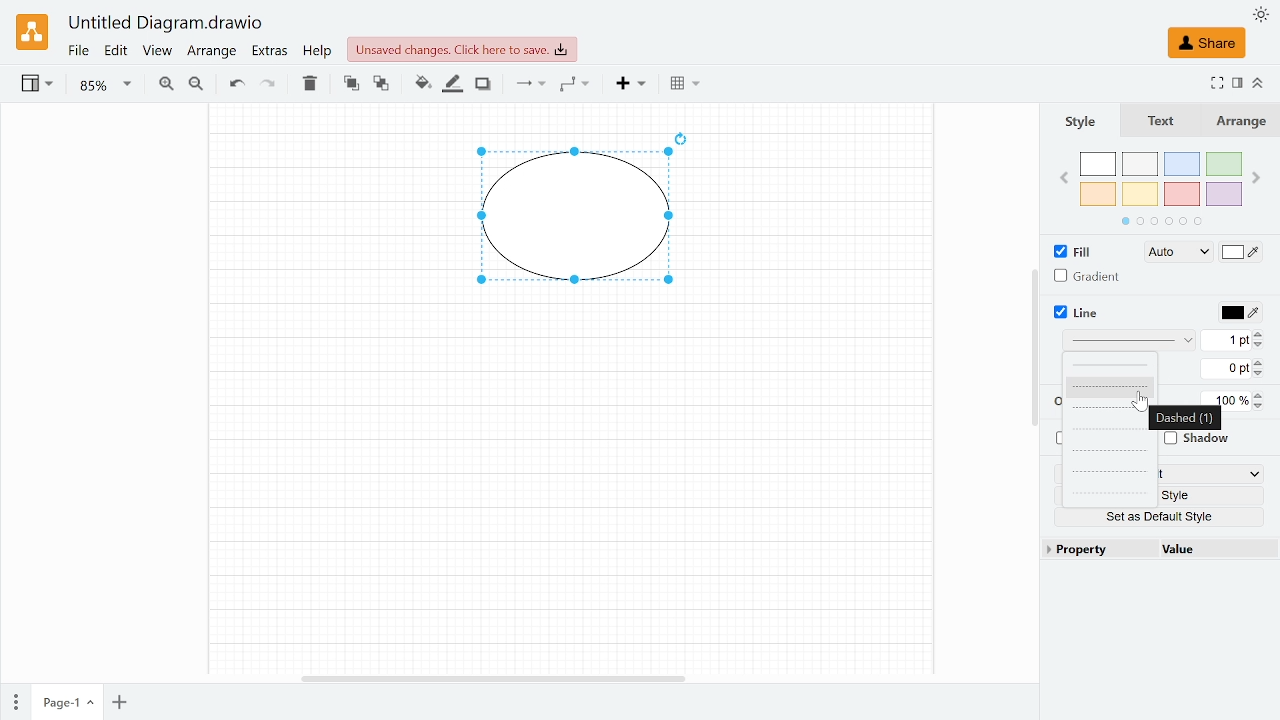 The image size is (1280, 720). I want to click on Current opacity, so click(1233, 400).